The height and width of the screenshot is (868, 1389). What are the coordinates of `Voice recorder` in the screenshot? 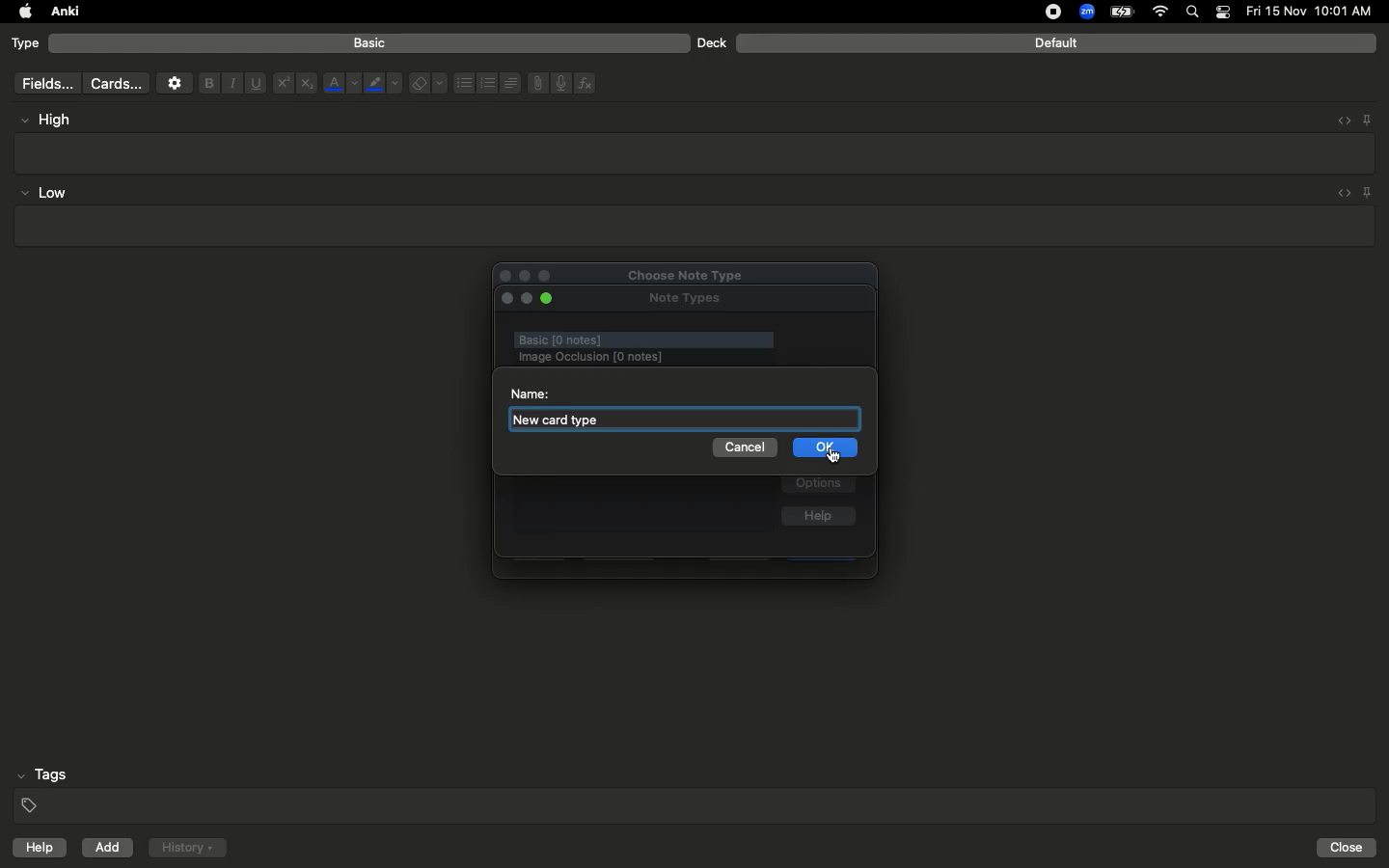 It's located at (559, 81).